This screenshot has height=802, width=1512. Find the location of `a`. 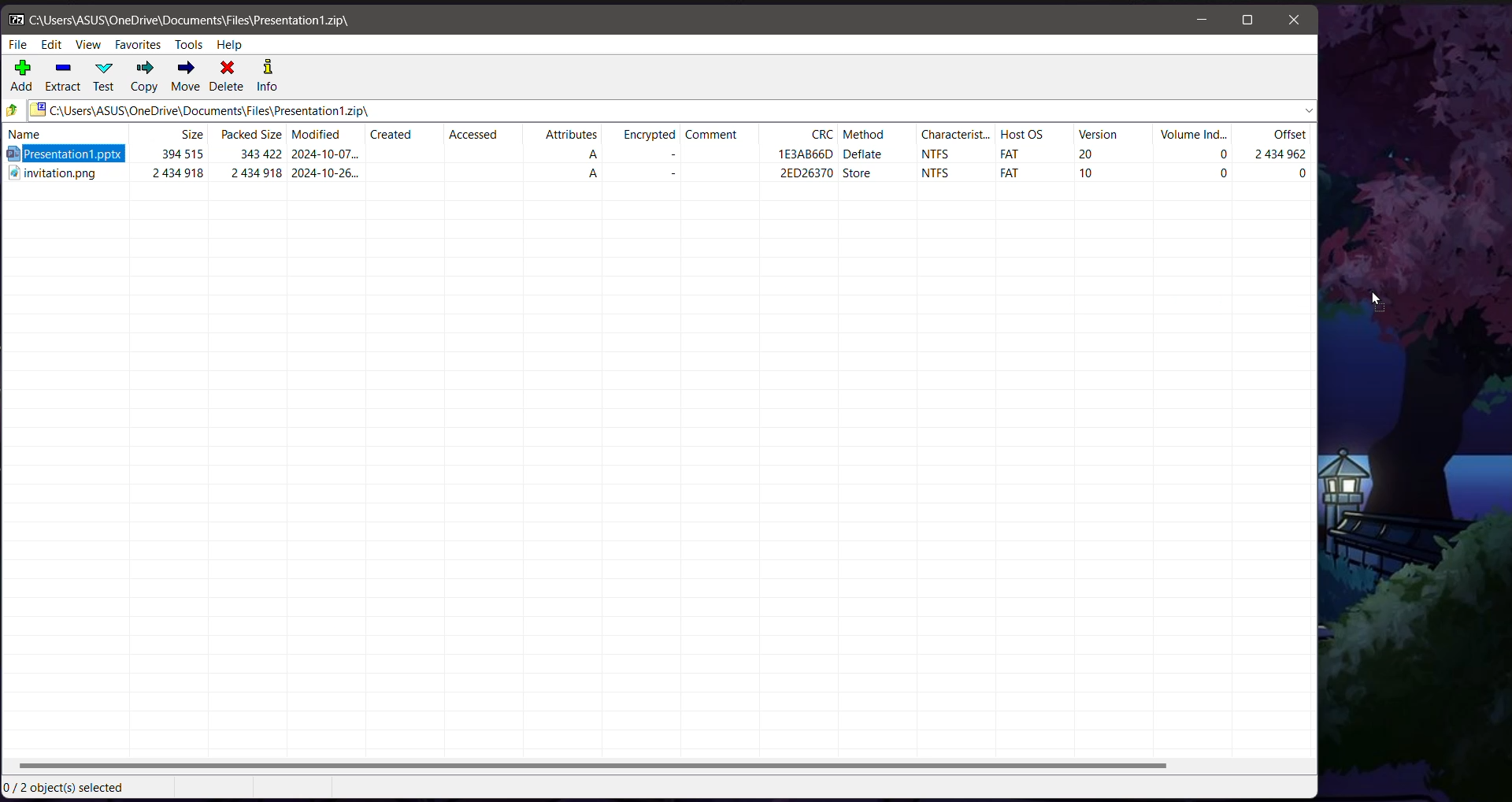

a is located at coordinates (602, 156).